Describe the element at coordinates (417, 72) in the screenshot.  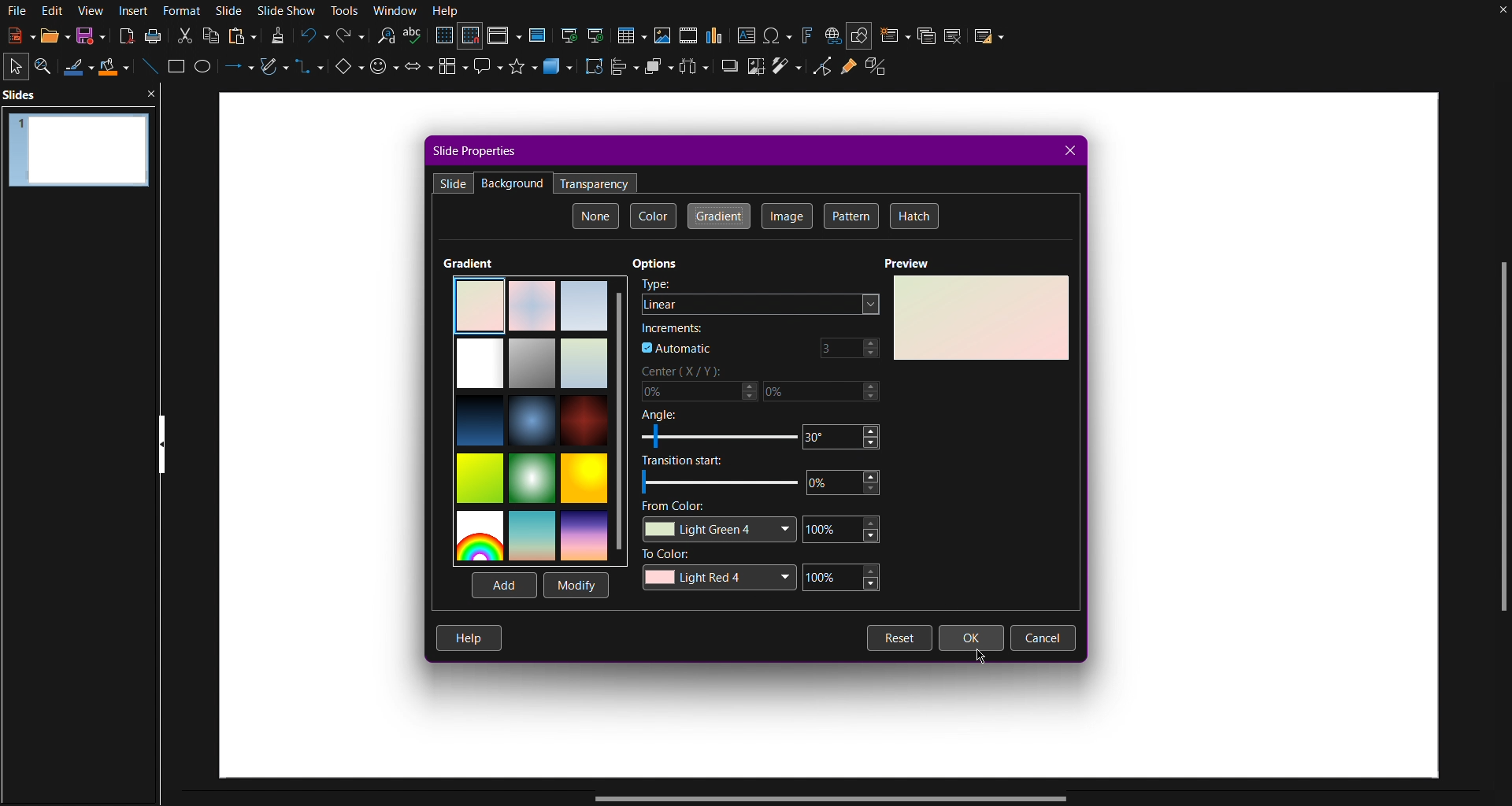
I see `Block Arrows` at that location.